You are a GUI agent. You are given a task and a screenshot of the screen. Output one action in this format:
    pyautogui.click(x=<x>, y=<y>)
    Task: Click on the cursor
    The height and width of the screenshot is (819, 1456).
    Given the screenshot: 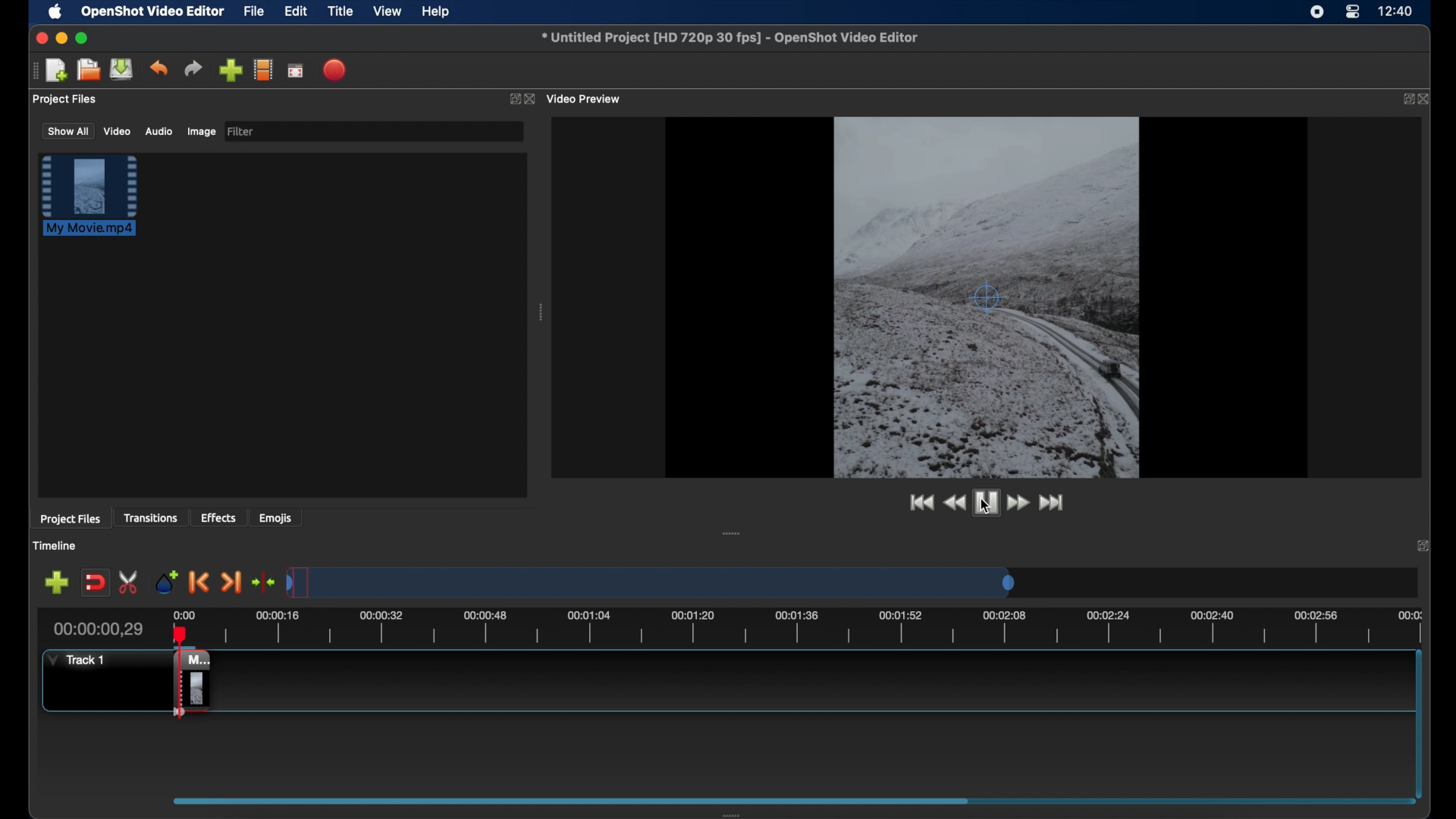 What is the action you would take?
    pyautogui.click(x=985, y=507)
    